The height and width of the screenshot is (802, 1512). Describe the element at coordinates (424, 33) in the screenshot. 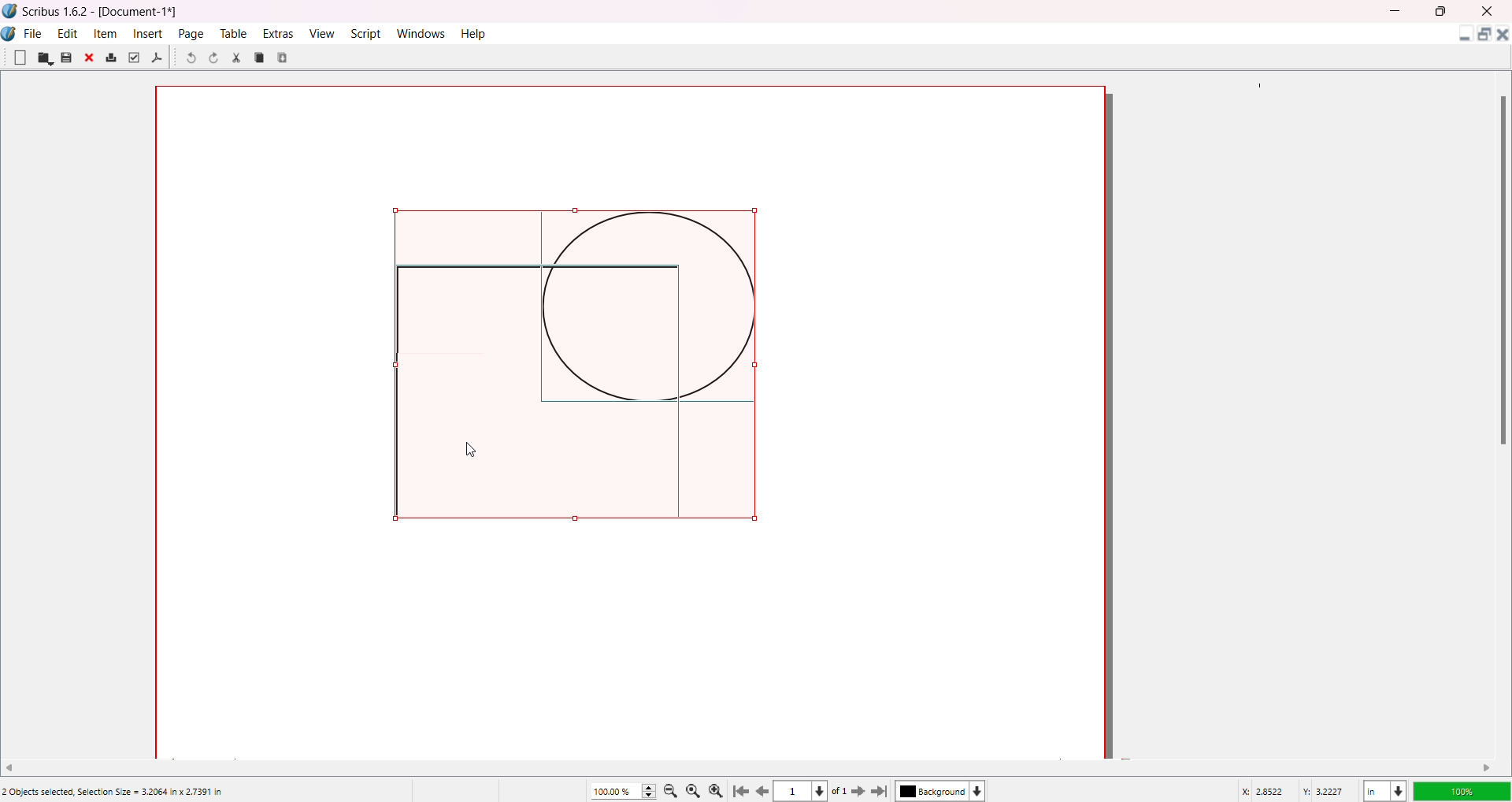

I see `Windows` at that location.